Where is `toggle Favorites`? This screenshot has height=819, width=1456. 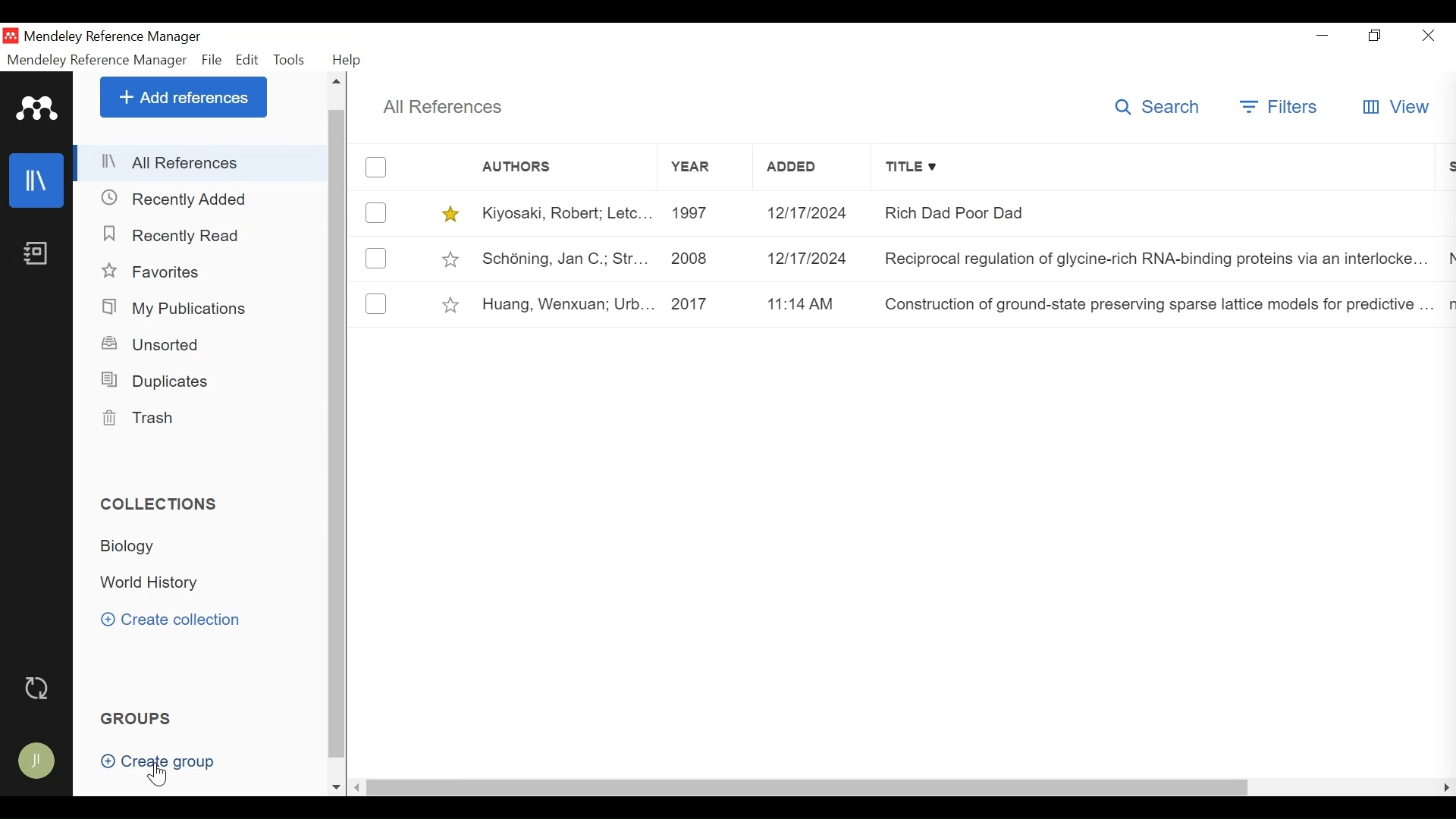 toggle Favorites is located at coordinates (453, 304).